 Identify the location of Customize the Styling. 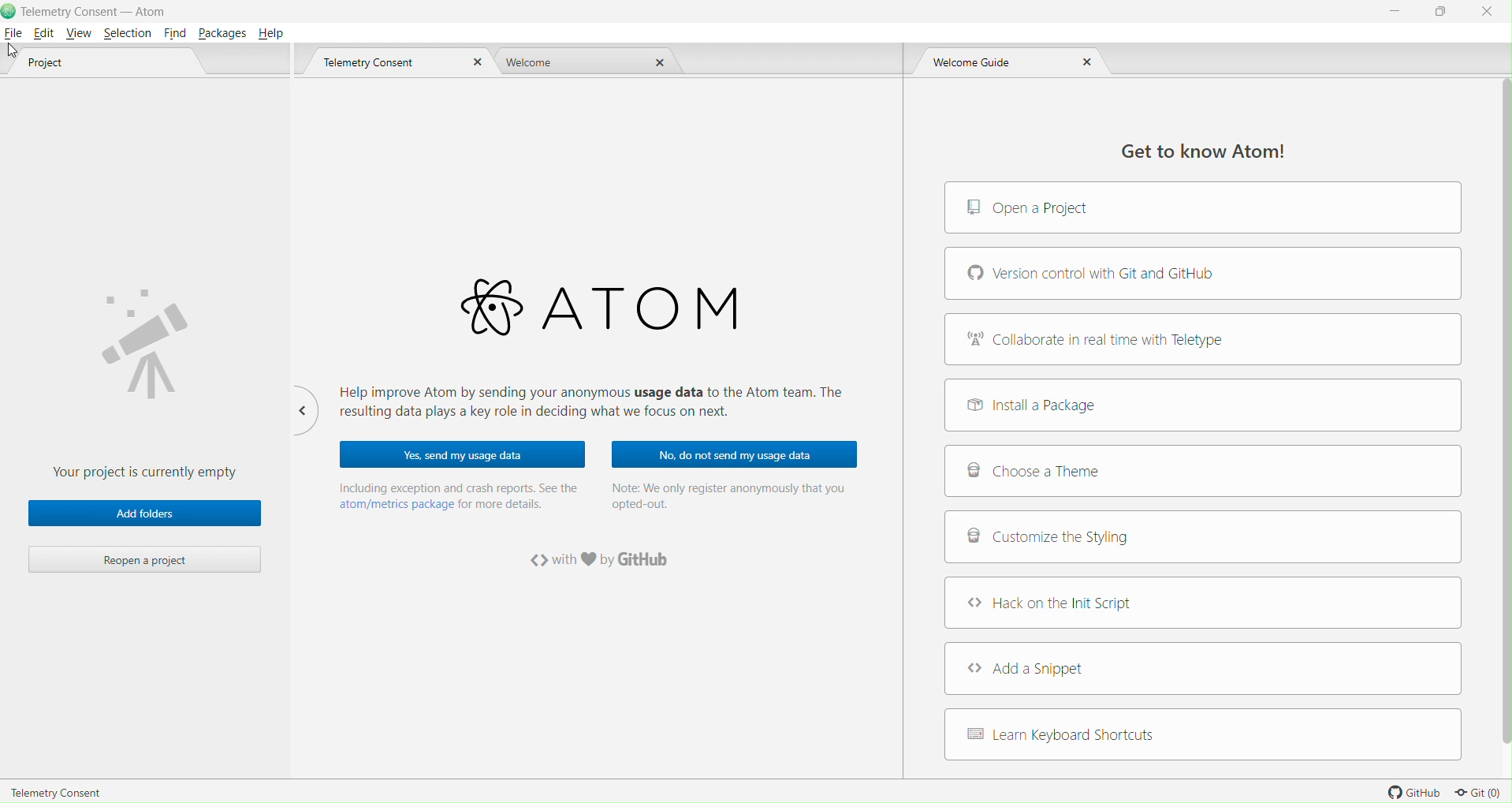
(1203, 540).